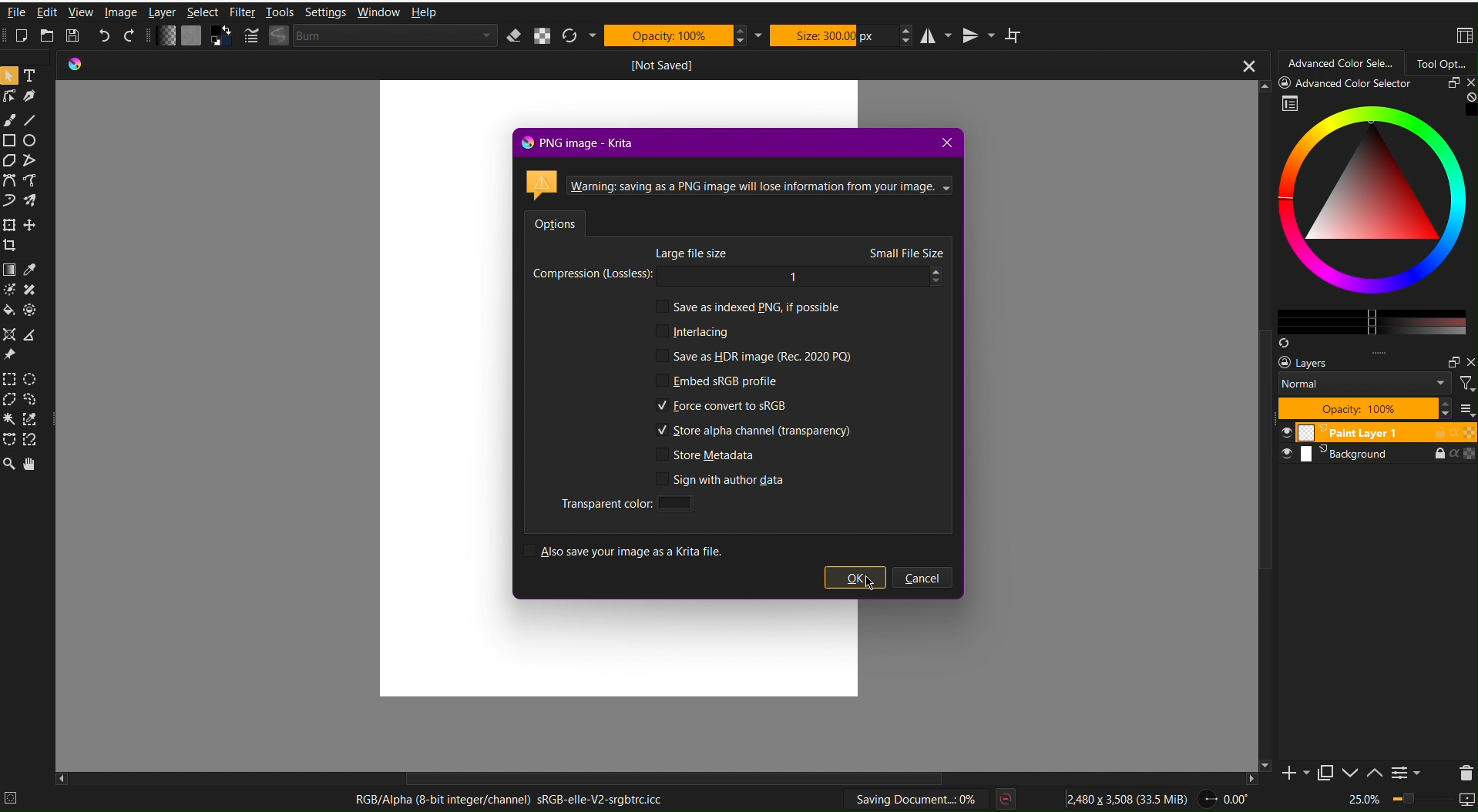 Image resolution: width=1478 pixels, height=812 pixels. Describe the element at coordinates (82, 13) in the screenshot. I see `View` at that location.